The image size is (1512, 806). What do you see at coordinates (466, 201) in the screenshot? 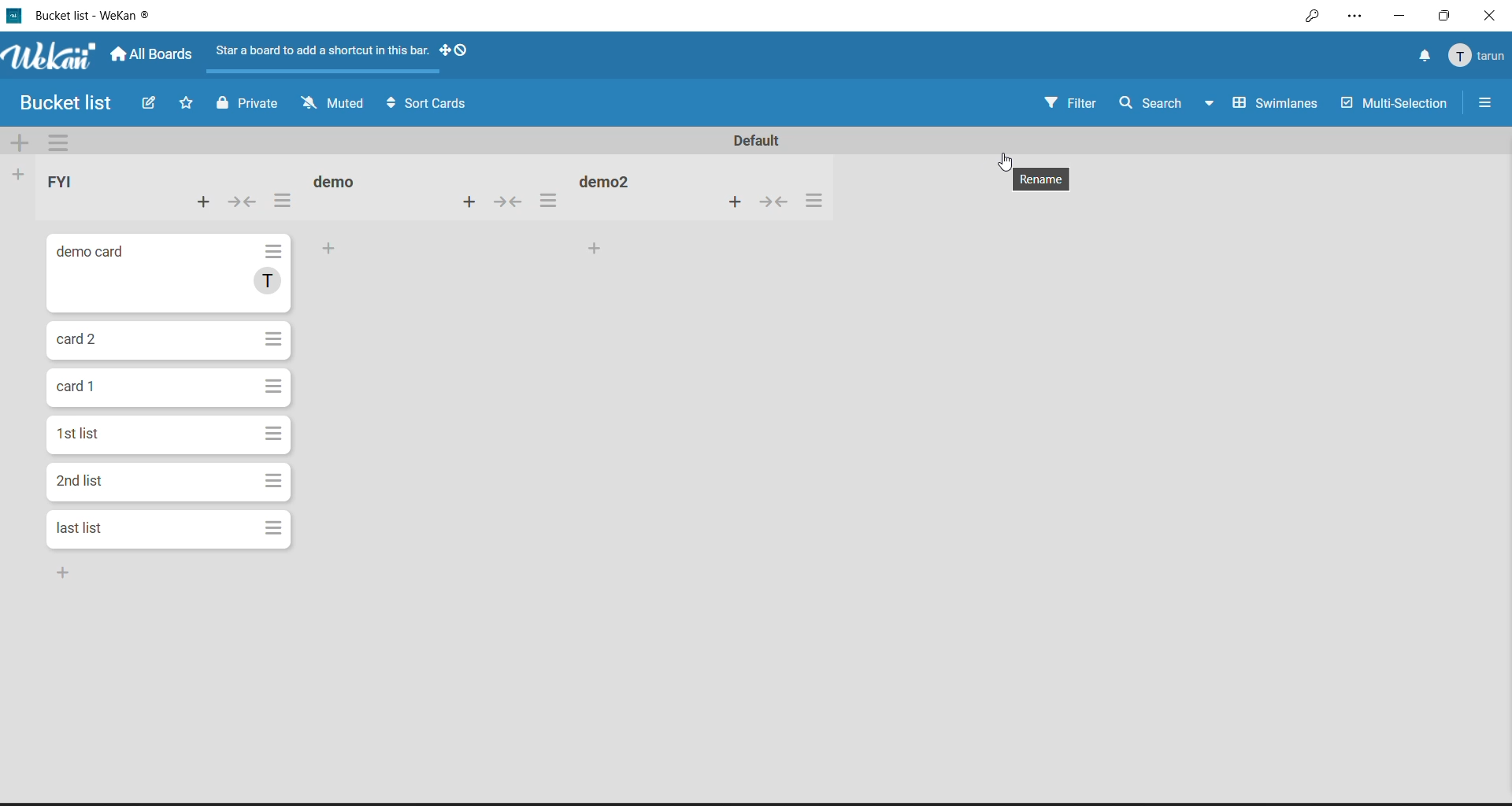
I see `add card to top` at bounding box center [466, 201].